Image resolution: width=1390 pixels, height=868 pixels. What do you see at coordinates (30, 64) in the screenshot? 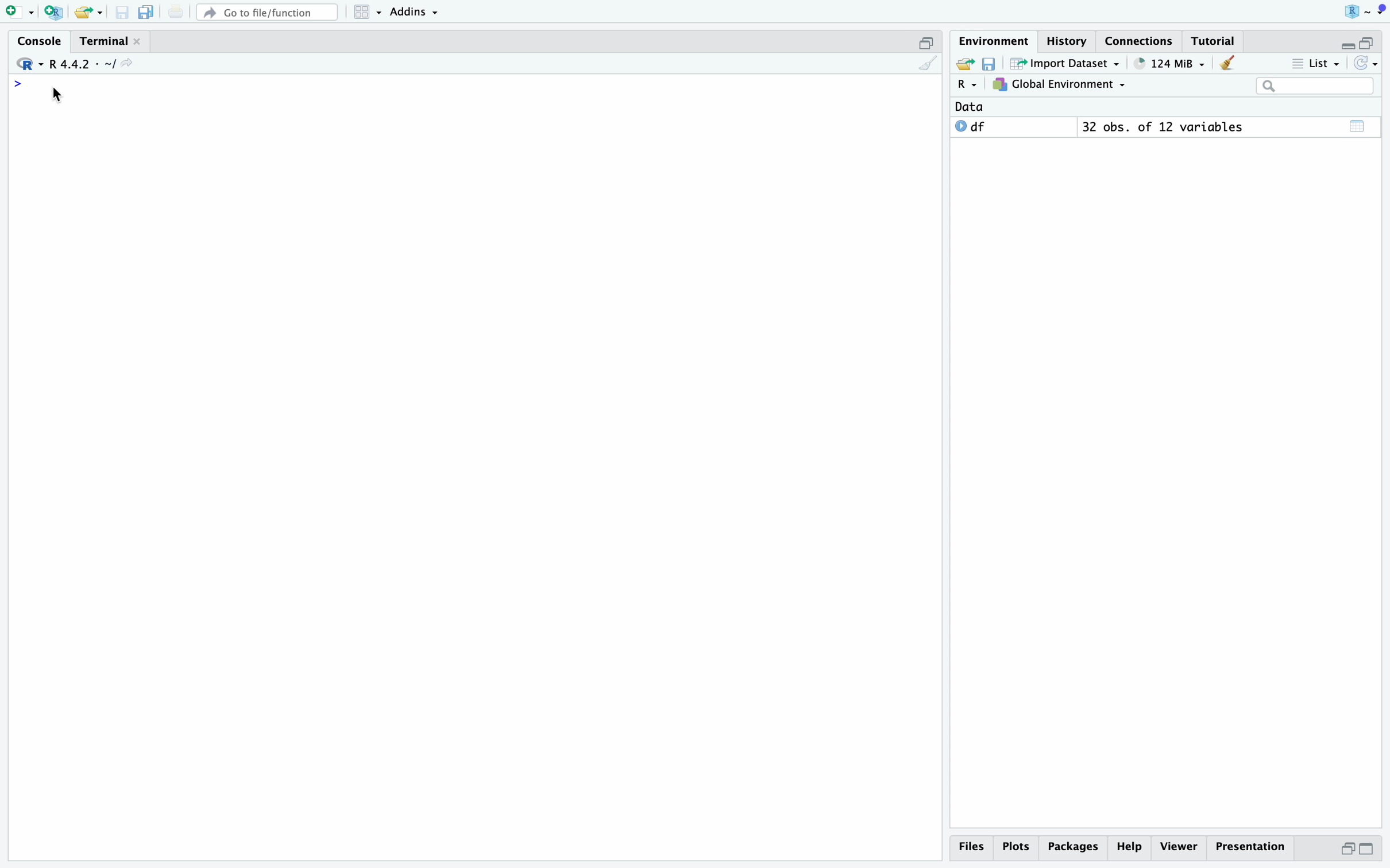
I see `R` at bounding box center [30, 64].